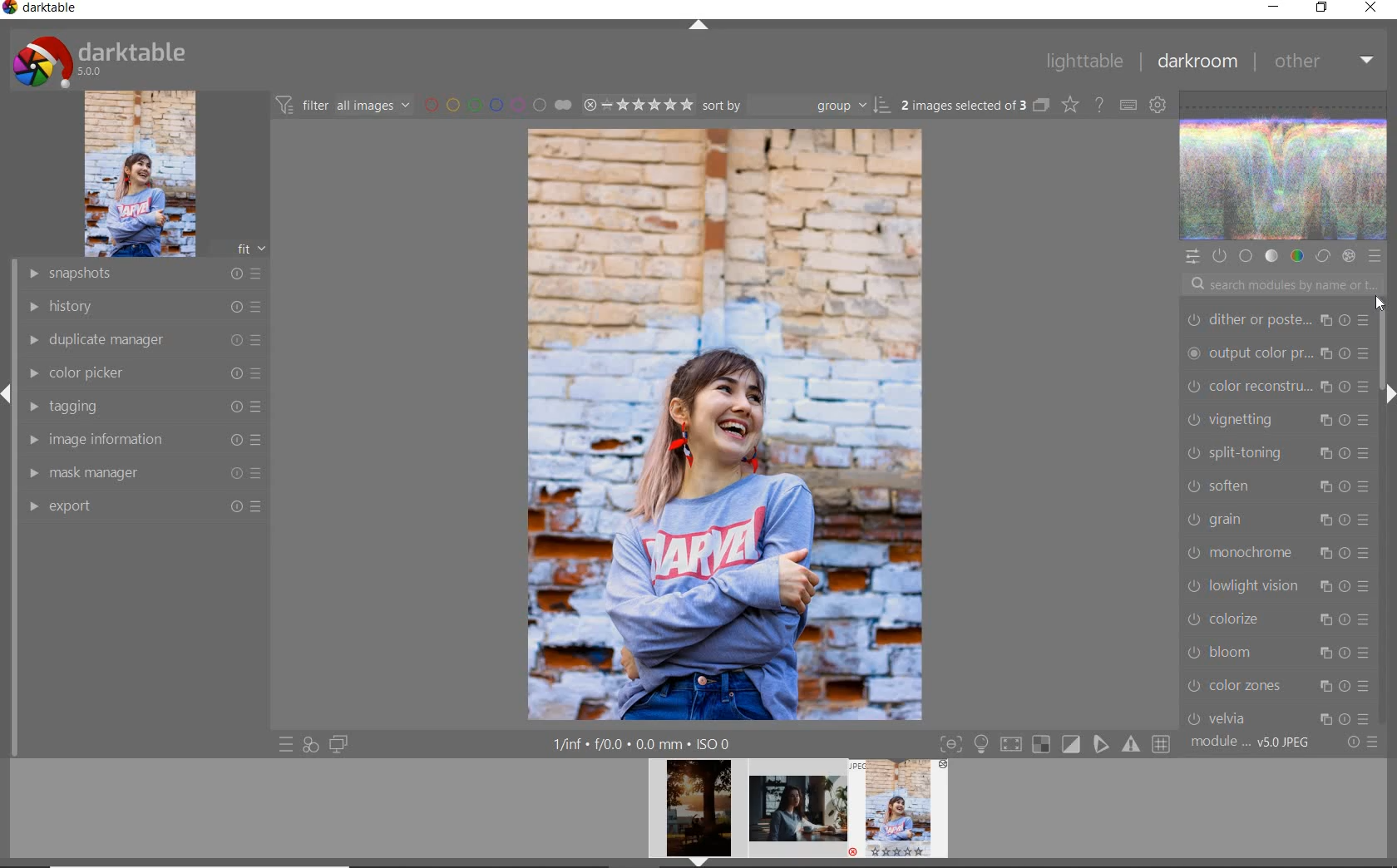 The image size is (1397, 868). What do you see at coordinates (143, 274) in the screenshot?
I see `snapshots` at bounding box center [143, 274].